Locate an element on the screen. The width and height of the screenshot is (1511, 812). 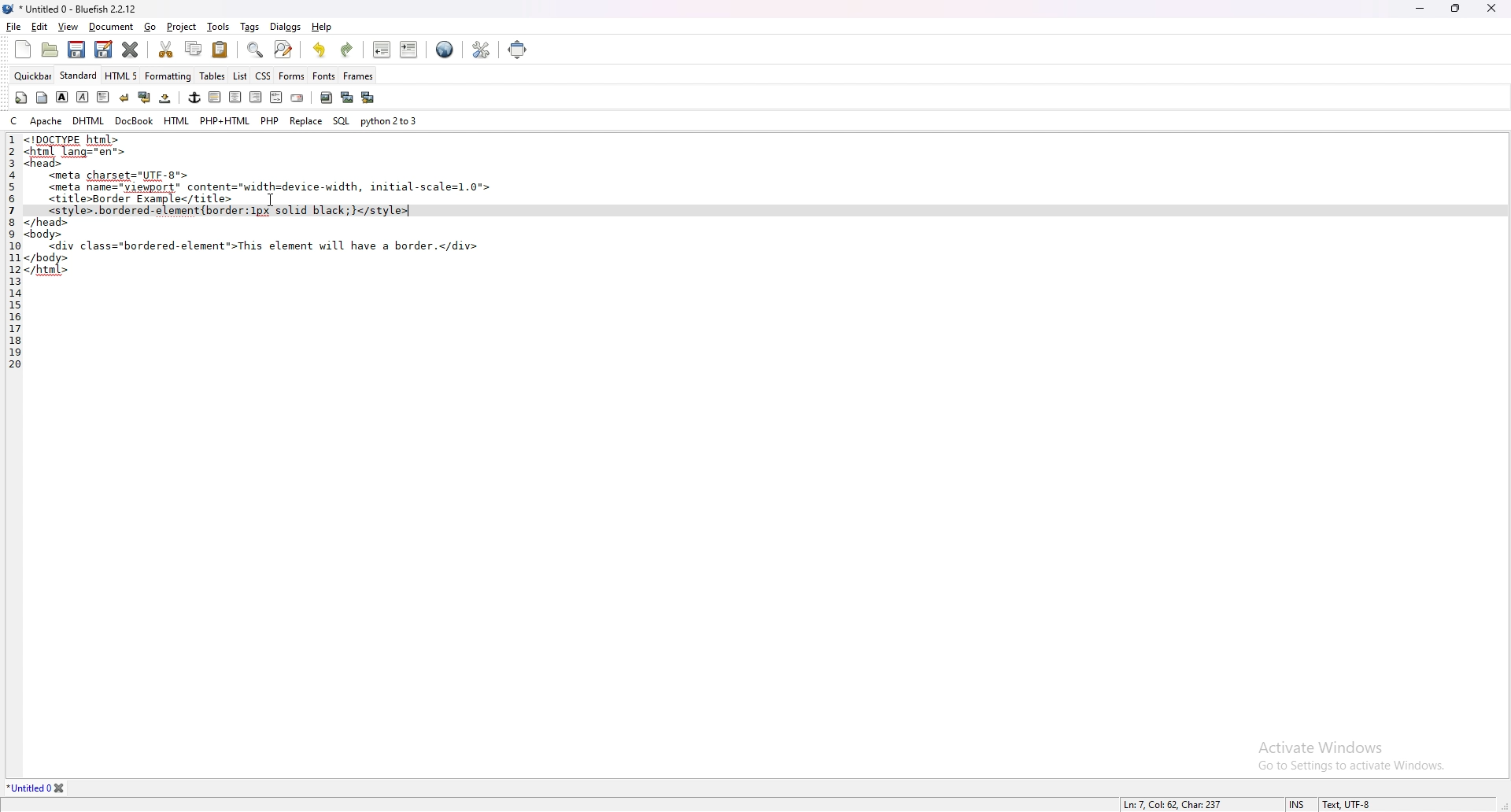
html comment is located at coordinates (275, 98).